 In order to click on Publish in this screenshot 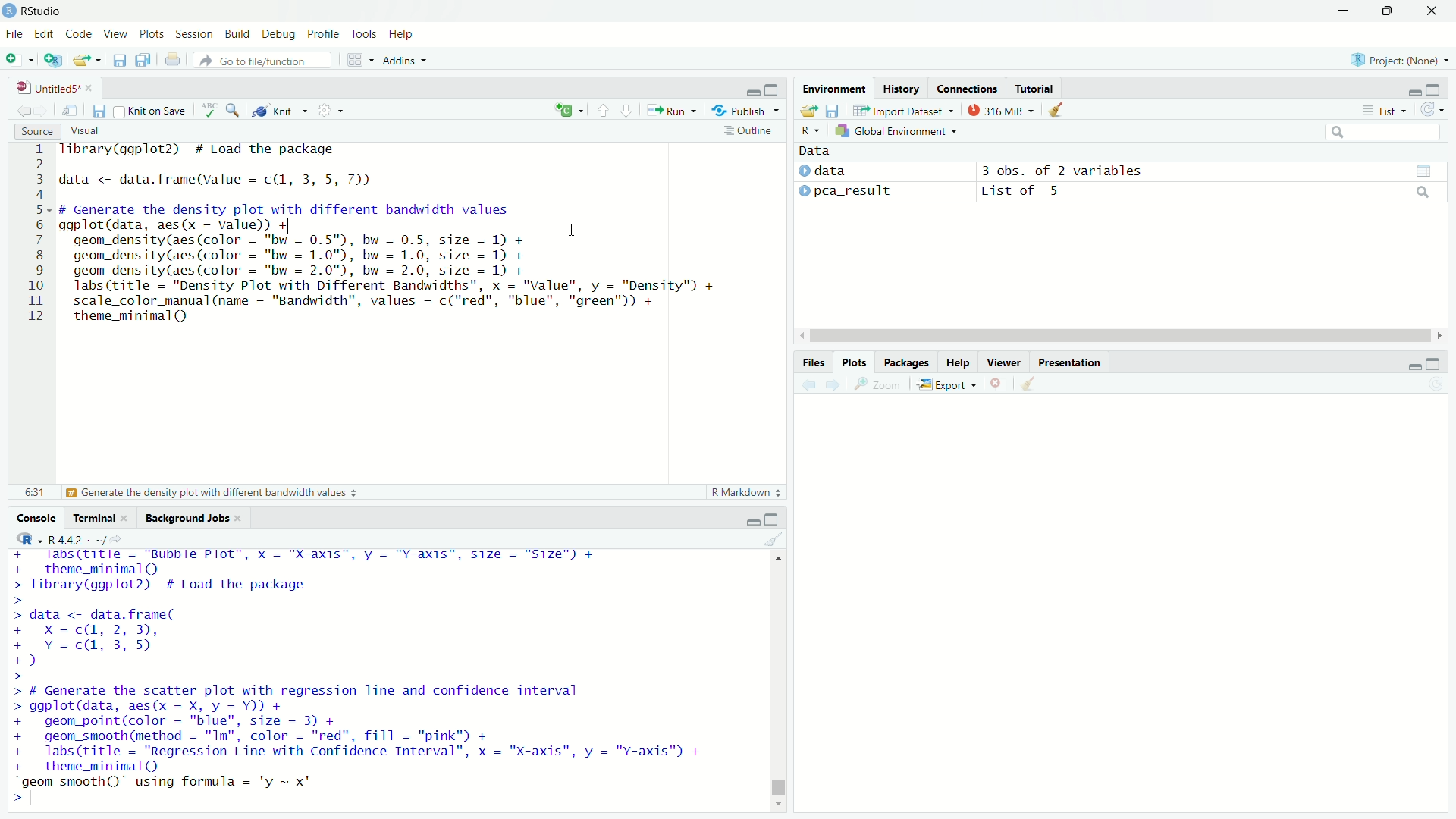, I will do `click(745, 109)`.